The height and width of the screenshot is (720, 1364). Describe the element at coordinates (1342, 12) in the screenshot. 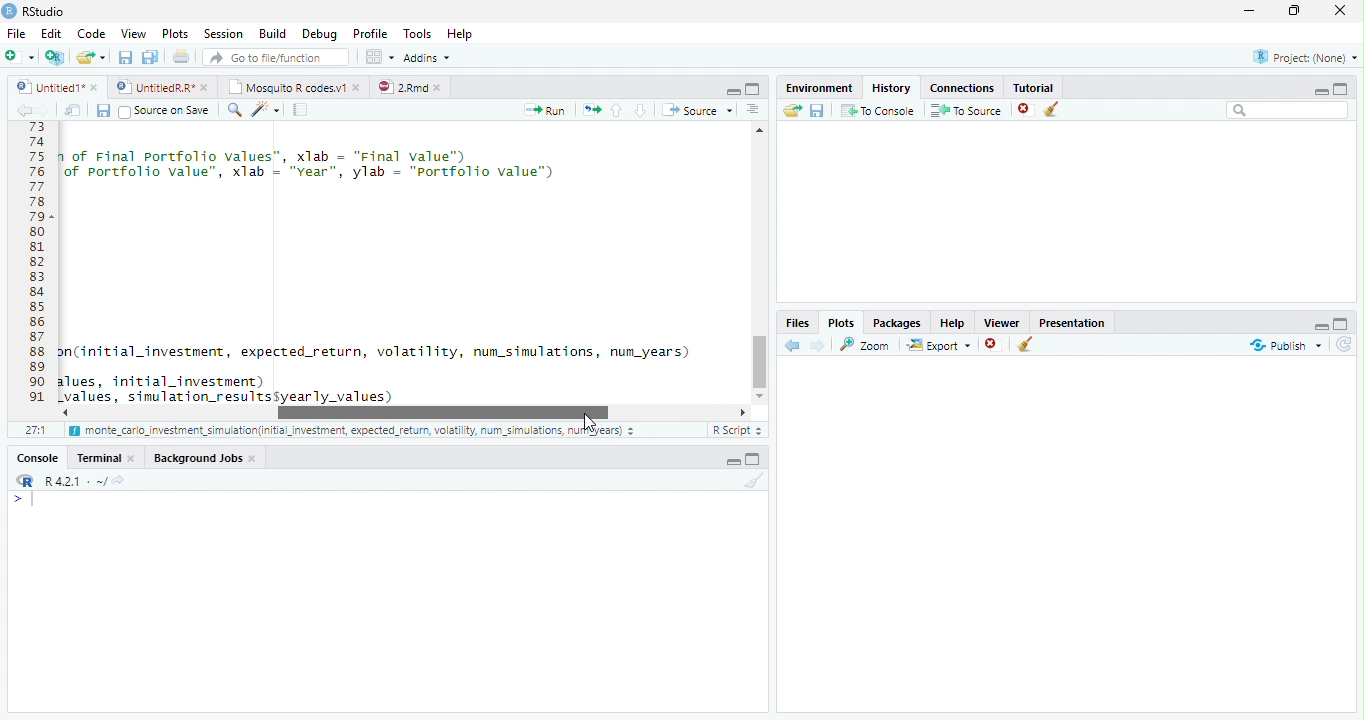

I see `Close` at that location.